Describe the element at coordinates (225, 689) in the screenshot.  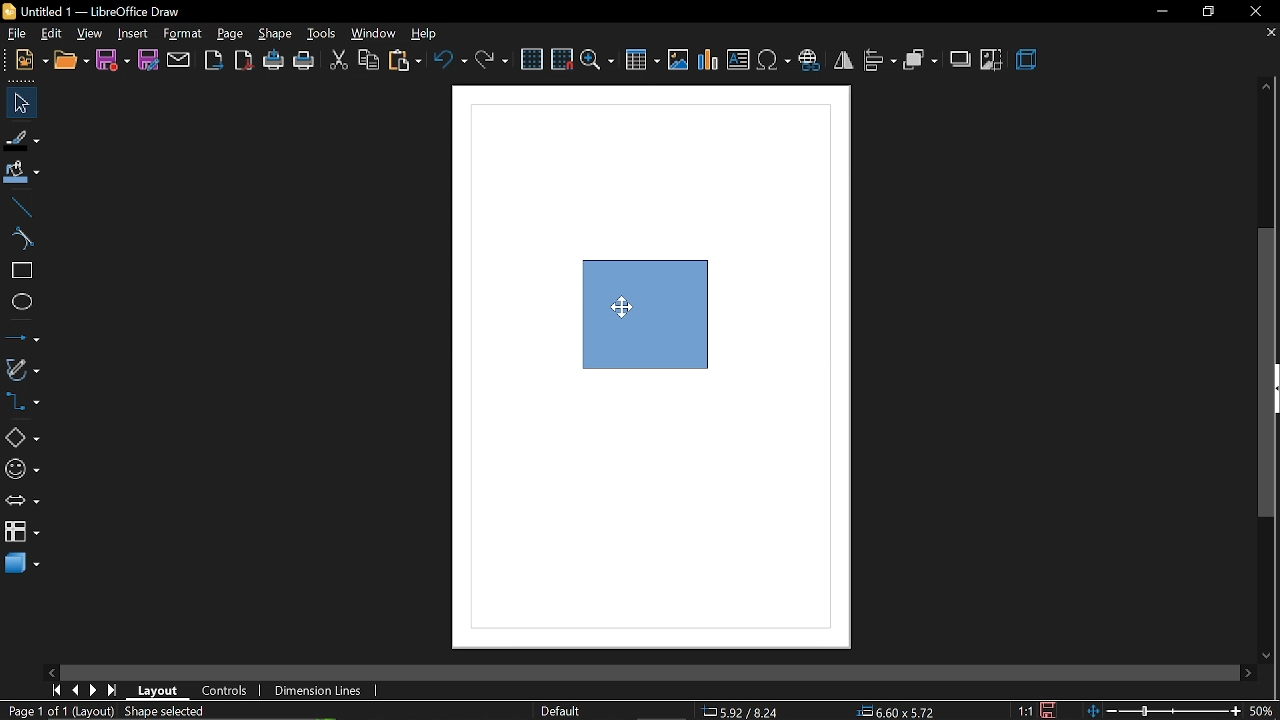
I see `controls` at that location.